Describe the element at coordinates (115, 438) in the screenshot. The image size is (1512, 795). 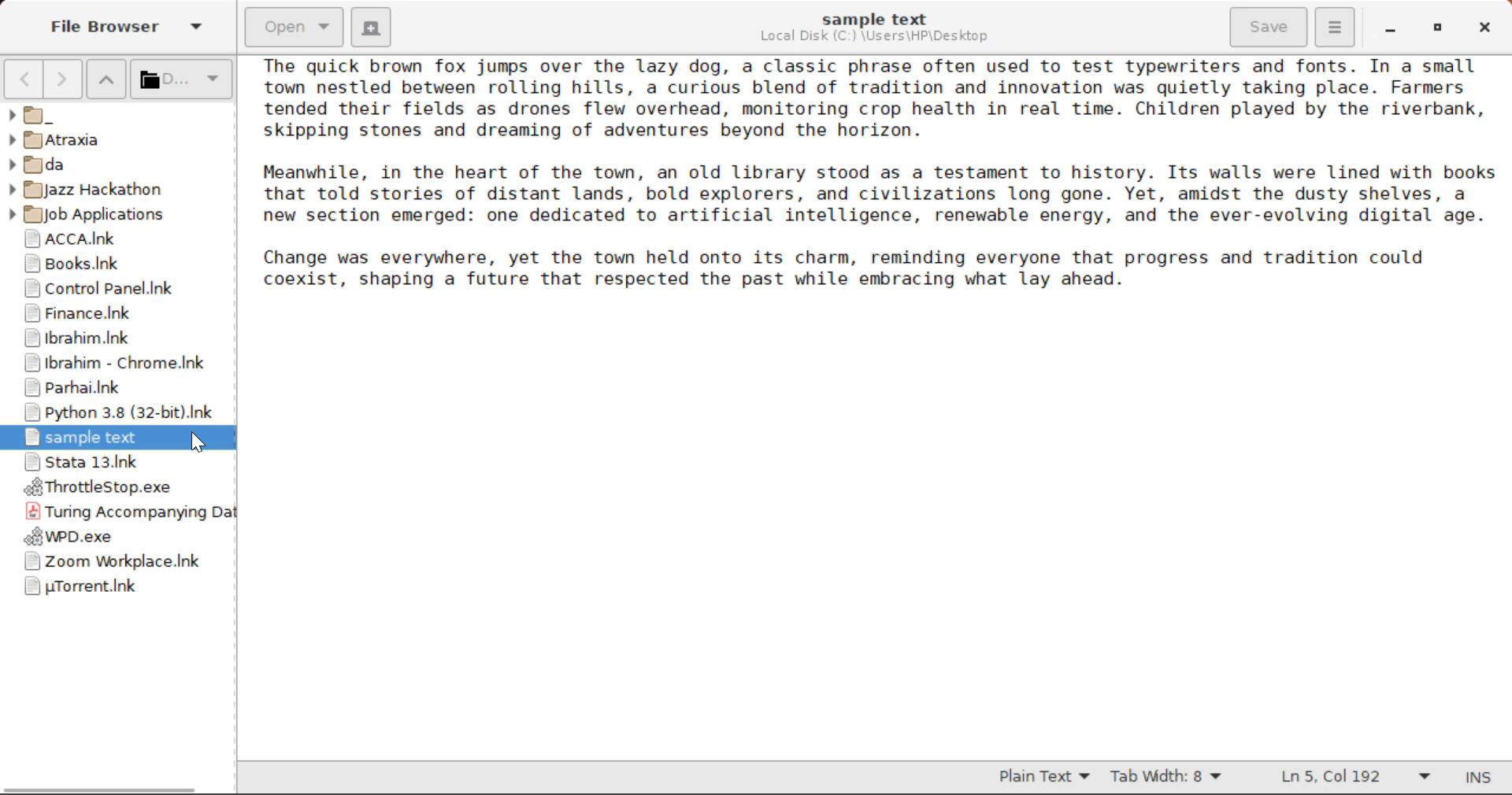
I see `Cursor on Opened File` at that location.